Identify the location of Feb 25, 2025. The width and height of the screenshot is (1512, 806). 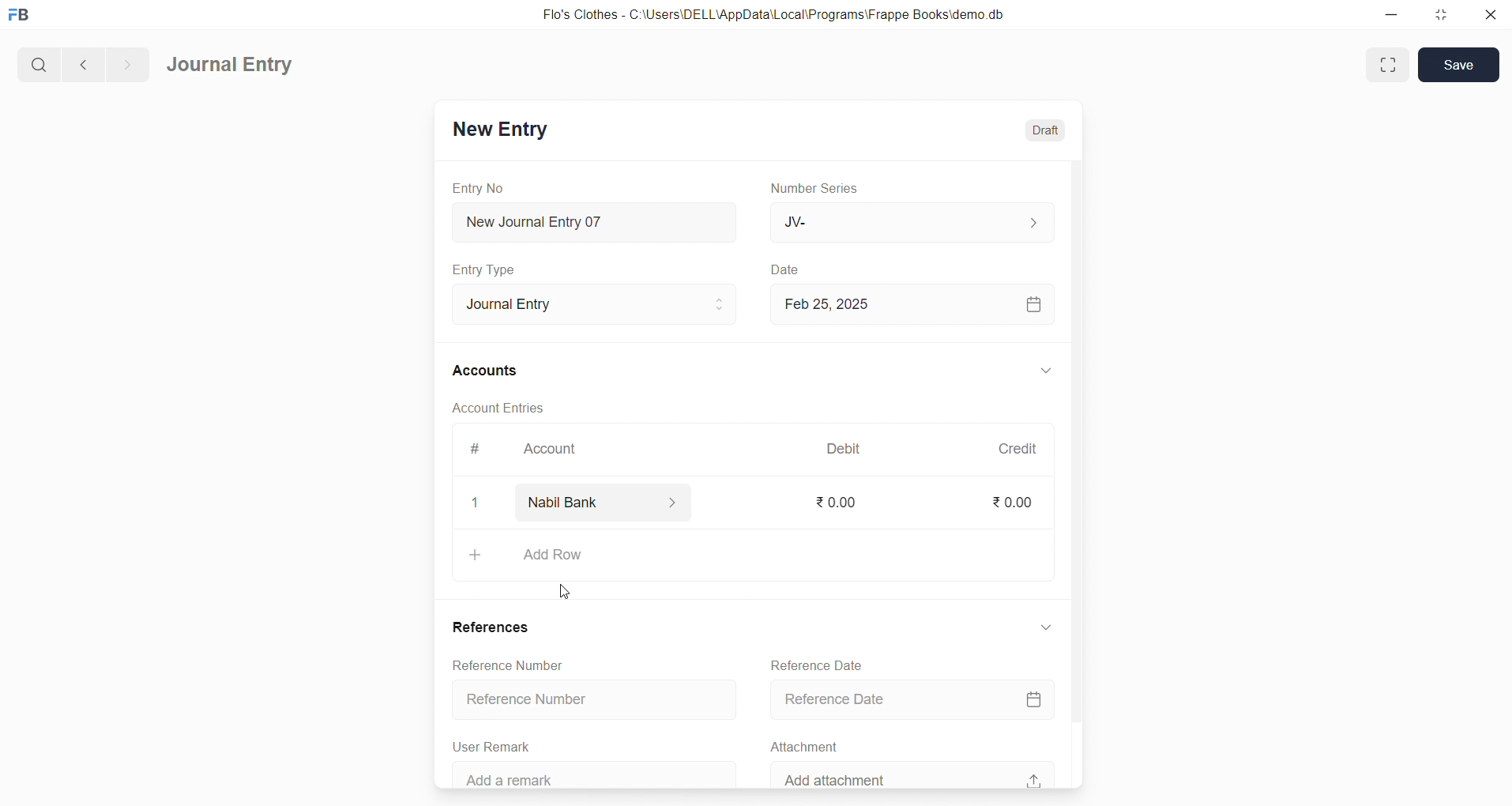
(914, 304).